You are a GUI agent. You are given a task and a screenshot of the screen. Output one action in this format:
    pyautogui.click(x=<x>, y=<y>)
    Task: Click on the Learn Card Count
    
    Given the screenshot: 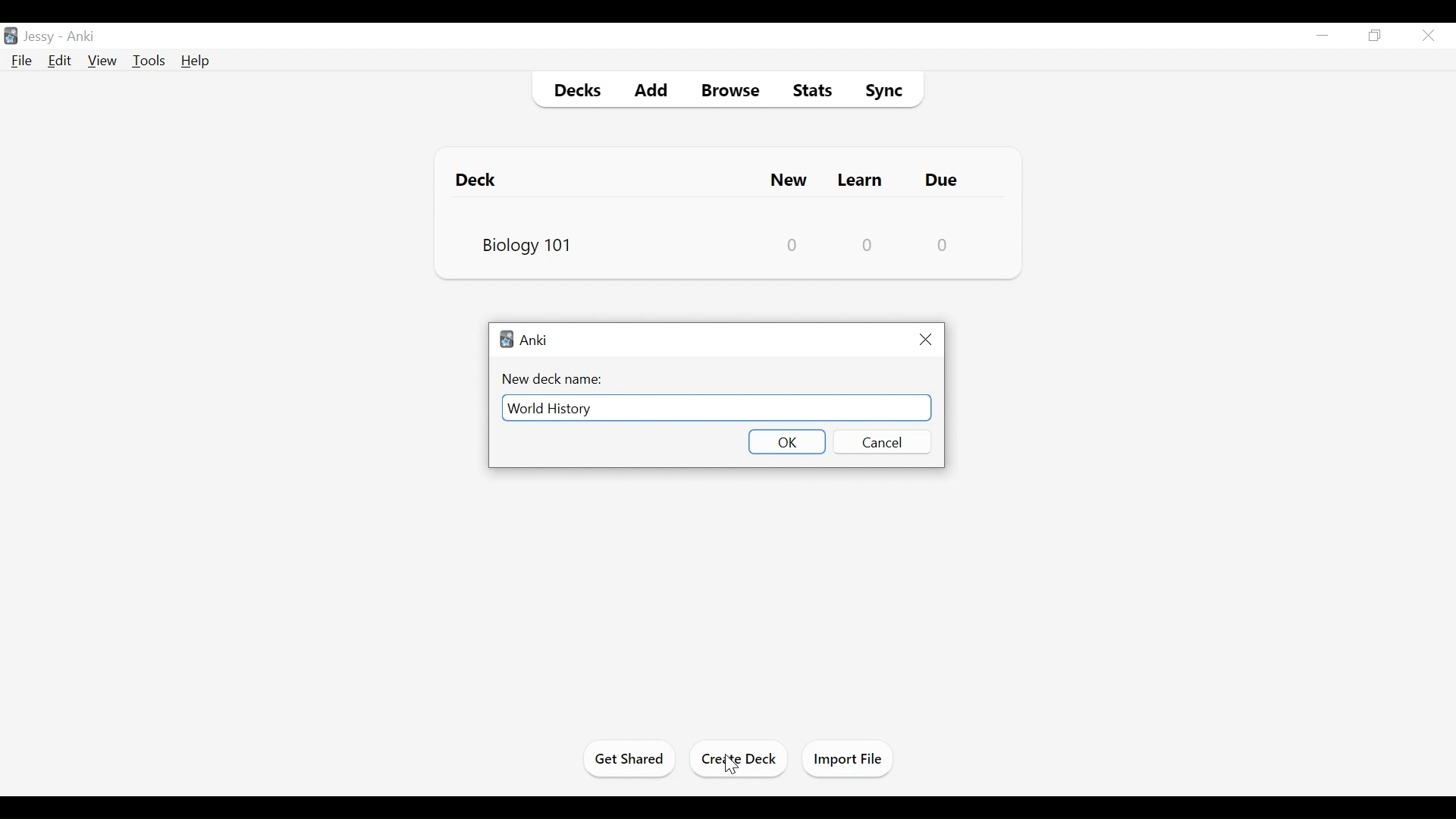 What is the action you would take?
    pyautogui.click(x=868, y=243)
    